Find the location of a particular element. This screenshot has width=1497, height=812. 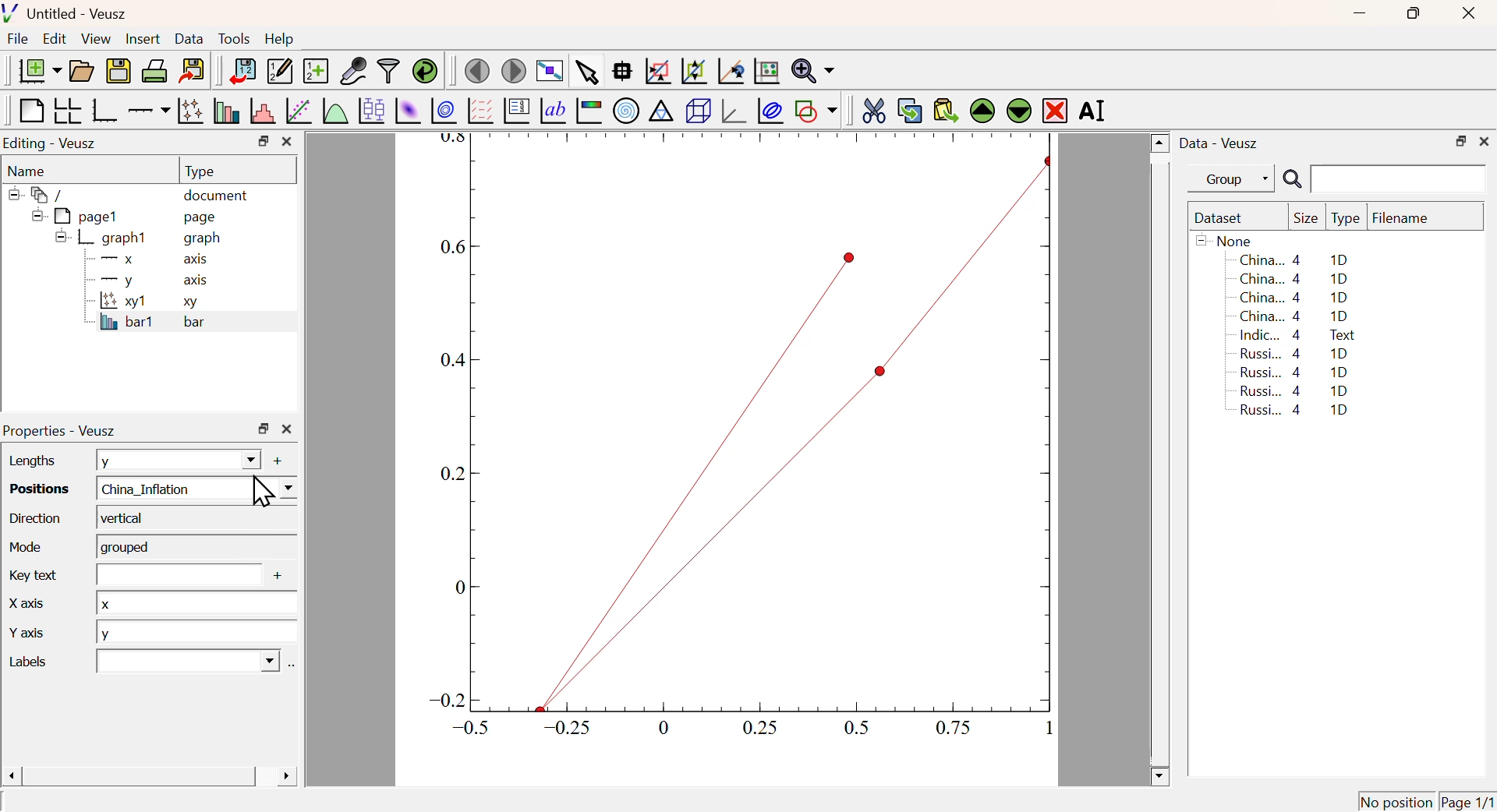

No position is located at coordinates (1396, 801).